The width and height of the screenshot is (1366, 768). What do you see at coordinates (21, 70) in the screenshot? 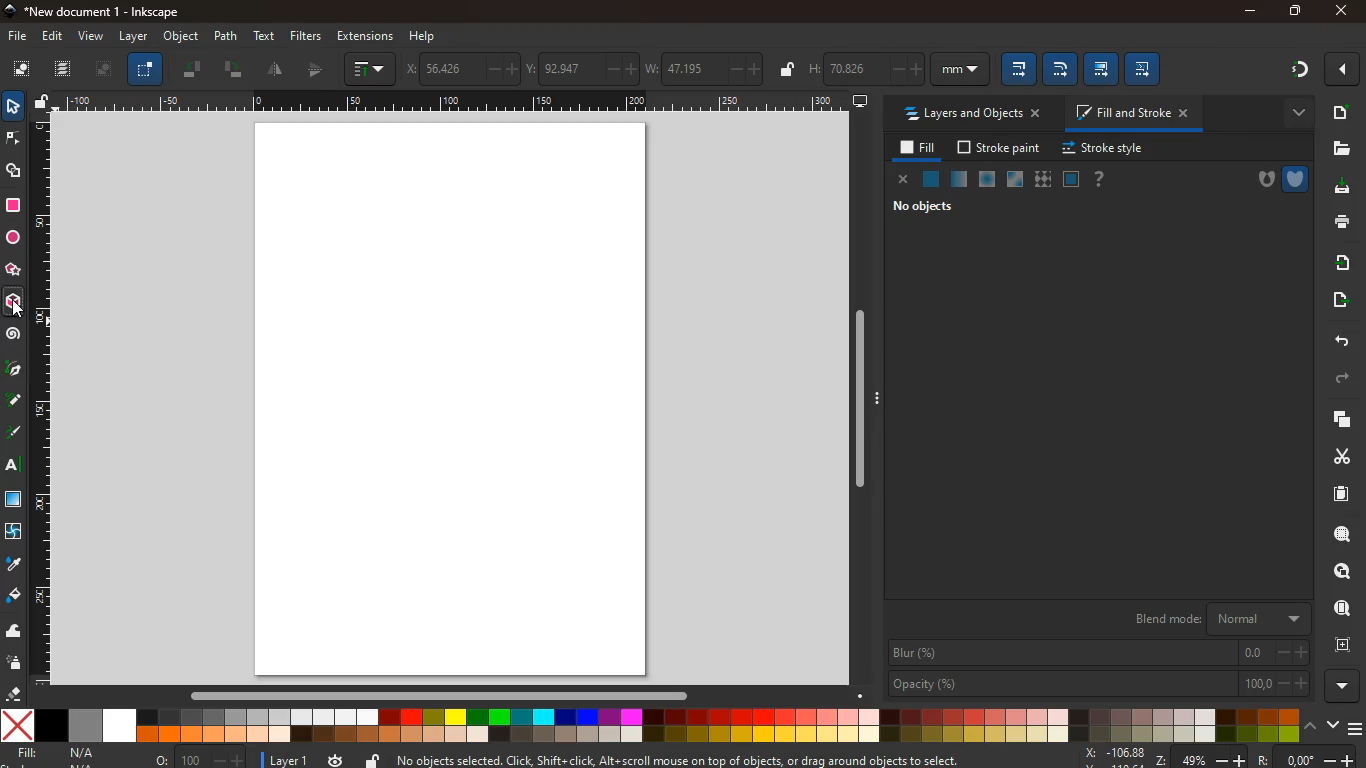
I see `photo` at bounding box center [21, 70].